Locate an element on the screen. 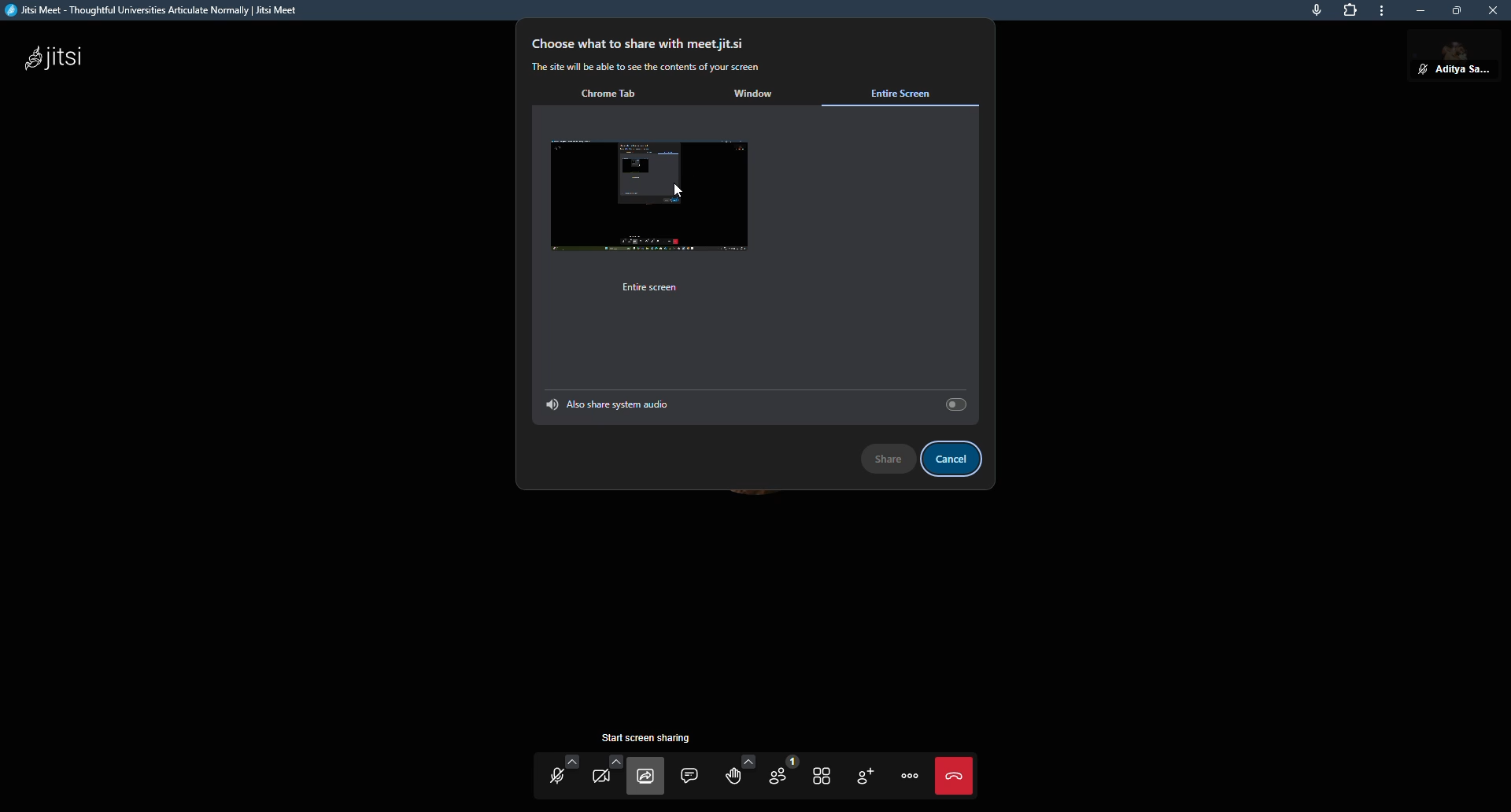 Image resolution: width=1511 pixels, height=812 pixels. extensions is located at coordinates (1351, 13).